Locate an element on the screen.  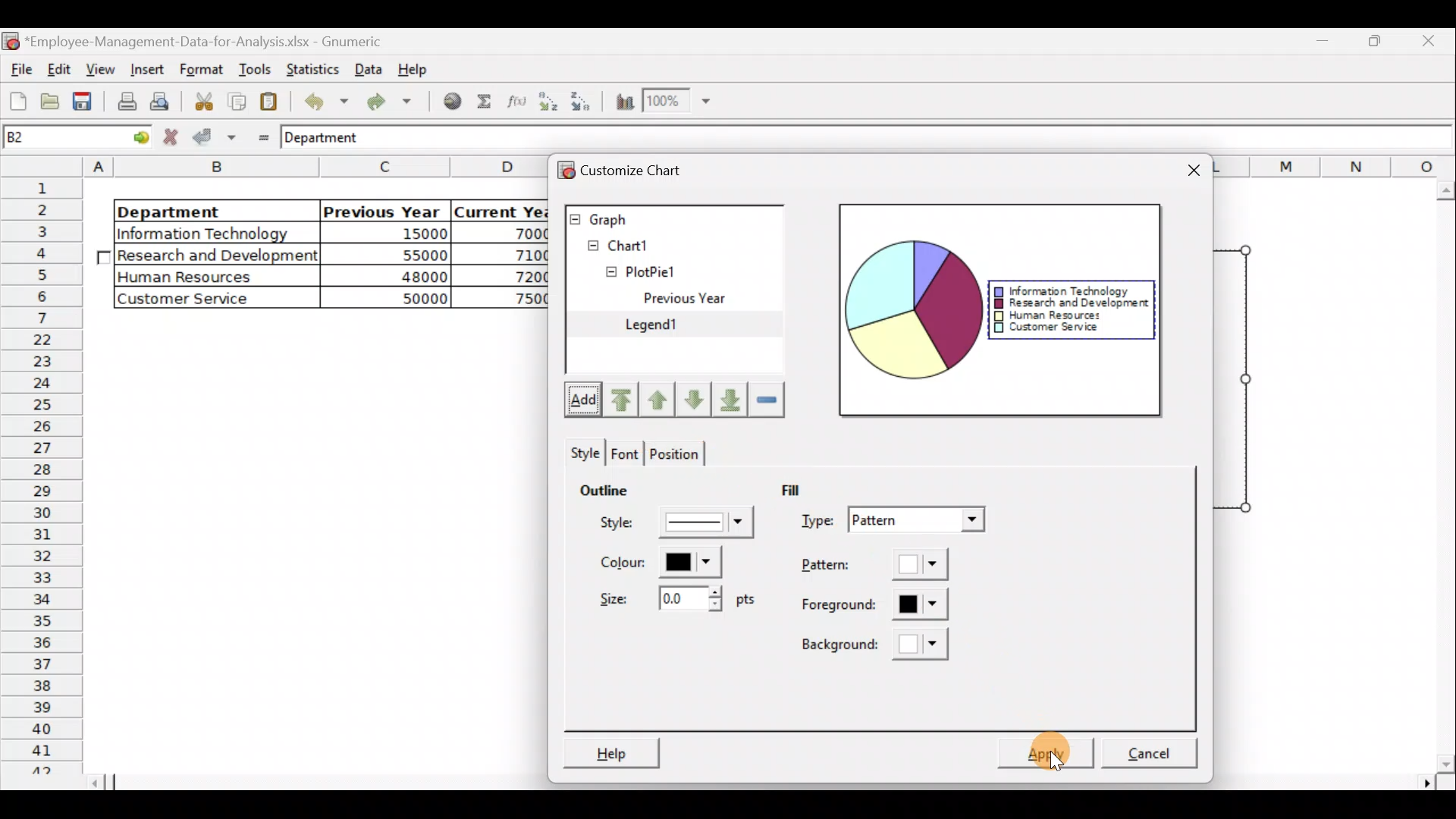
Move up is located at coordinates (660, 397).